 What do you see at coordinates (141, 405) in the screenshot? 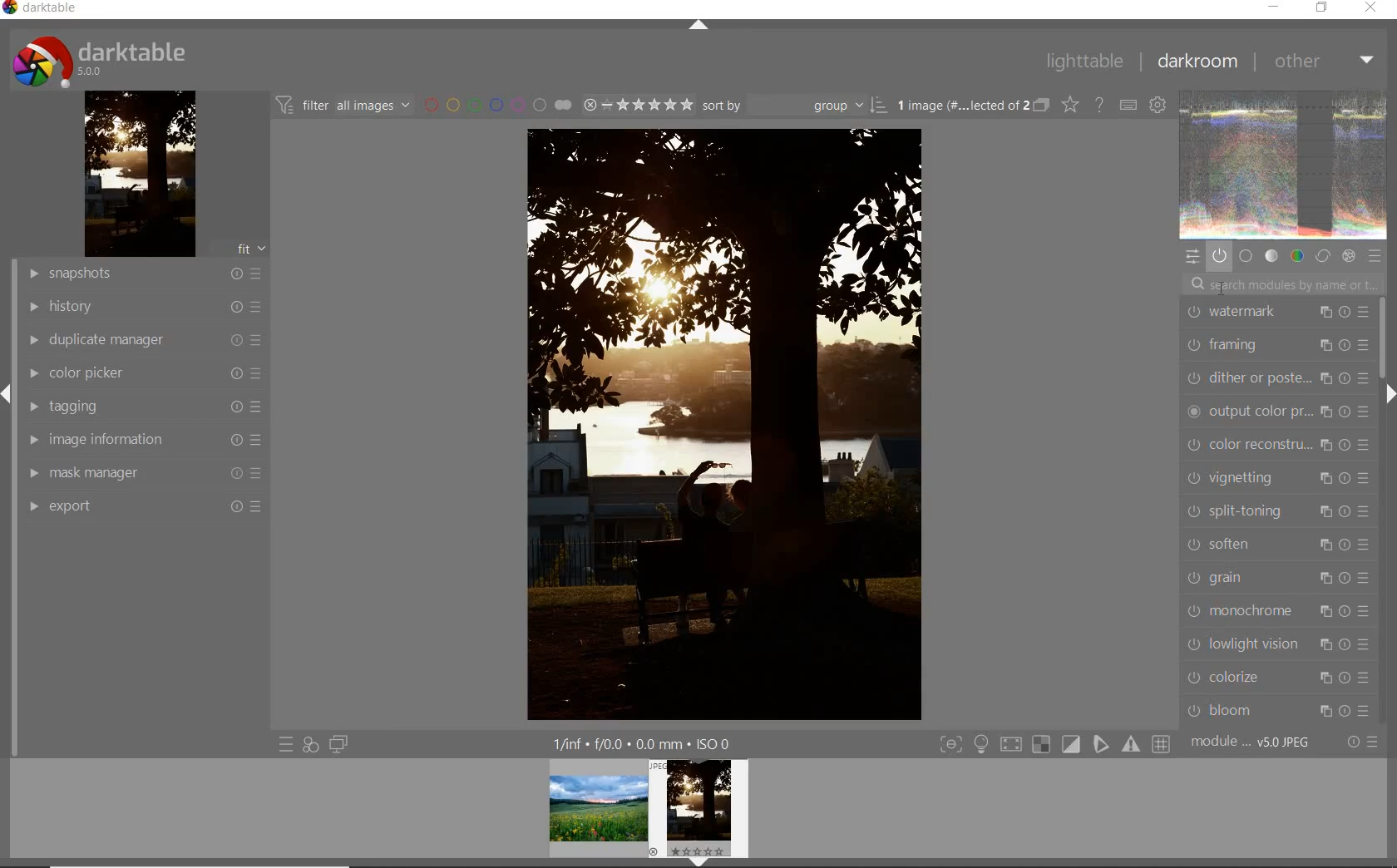
I see `tagging` at bounding box center [141, 405].